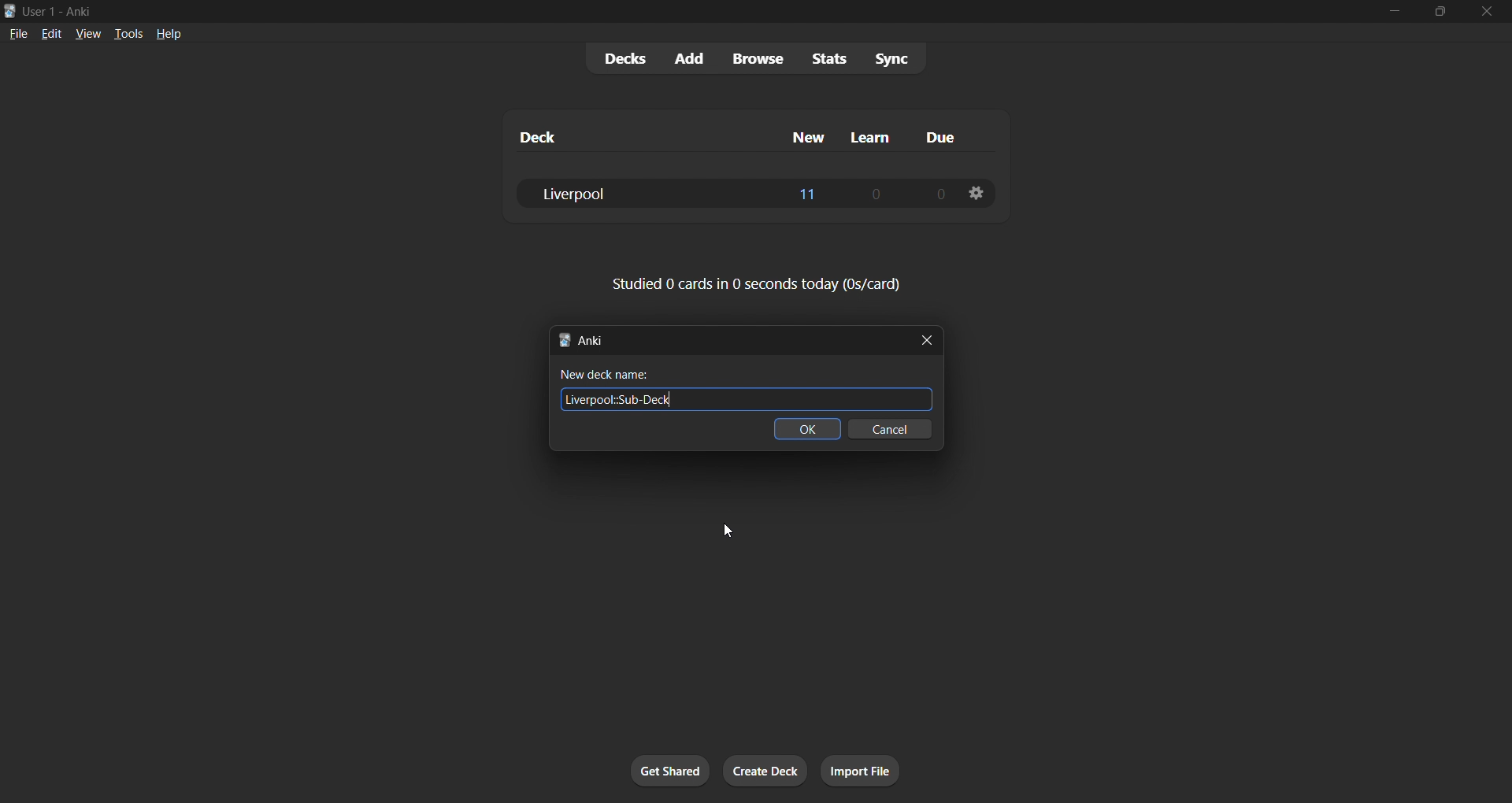 The width and height of the screenshot is (1512, 803). Describe the element at coordinates (977, 195) in the screenshot. I see `deck options` at that location.